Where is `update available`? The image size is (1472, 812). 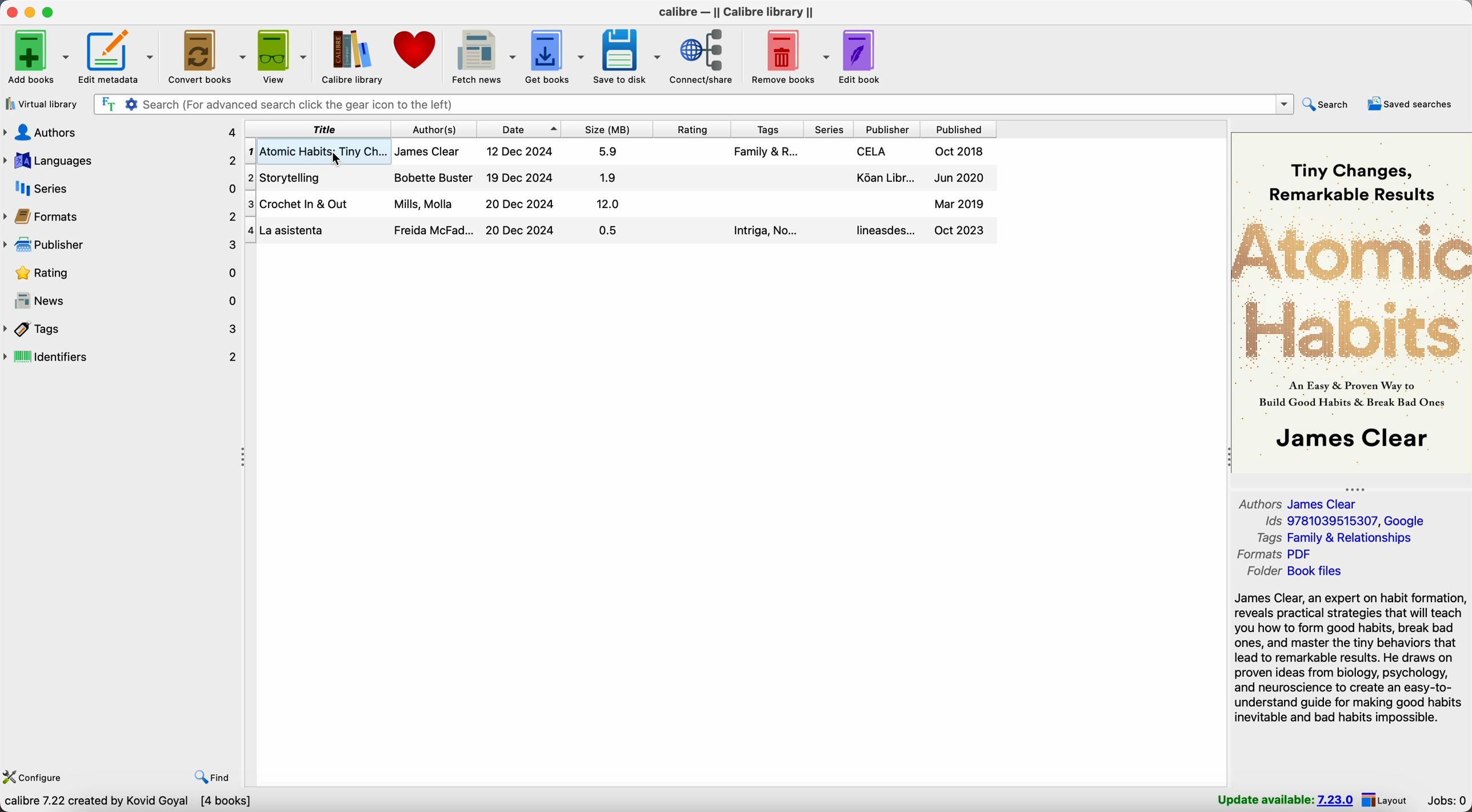
update available is located at coordinates (1282, 800).